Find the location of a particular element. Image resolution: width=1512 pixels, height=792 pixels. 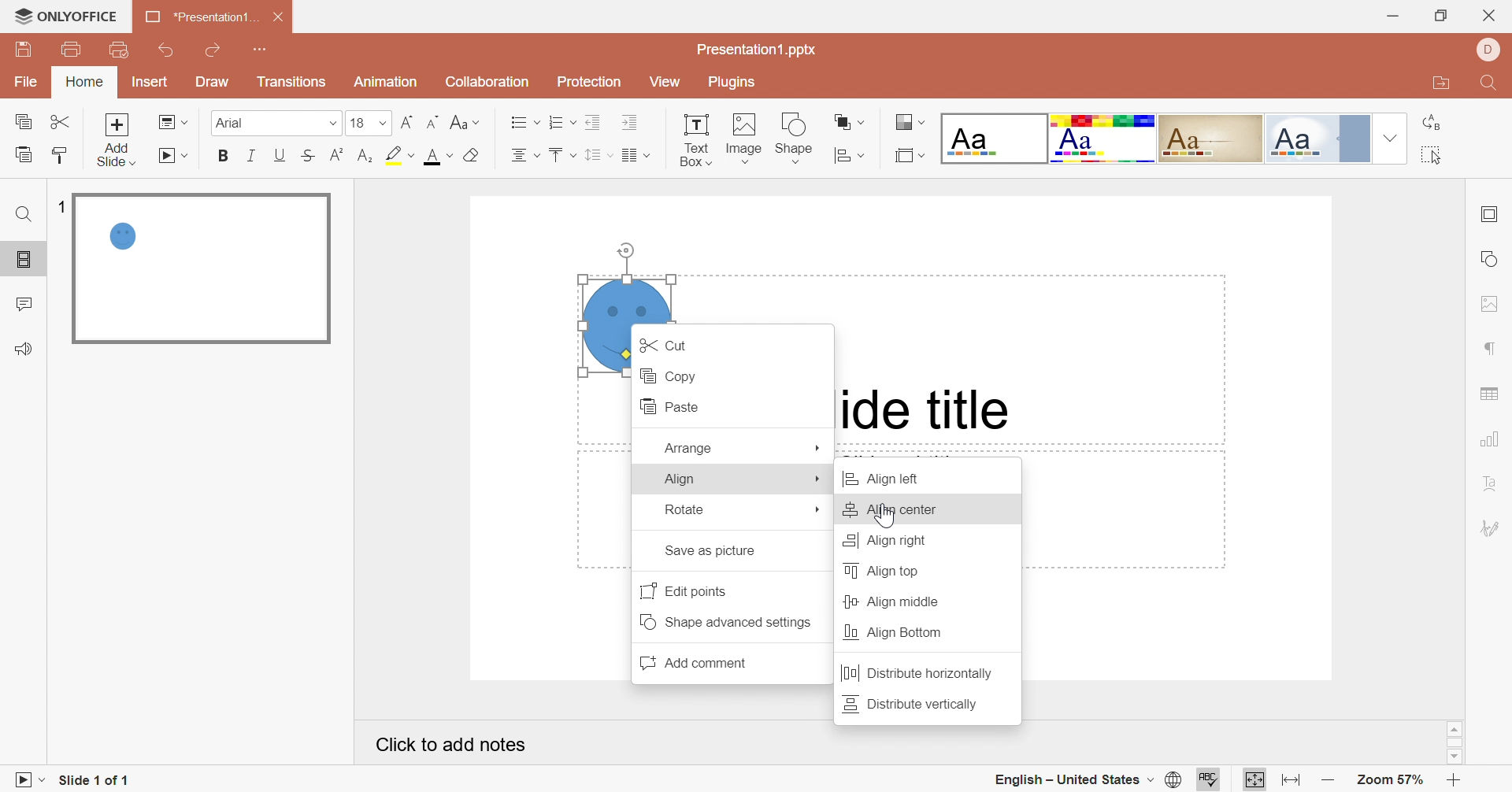

Minimize is located at coordinates (1390, 16).